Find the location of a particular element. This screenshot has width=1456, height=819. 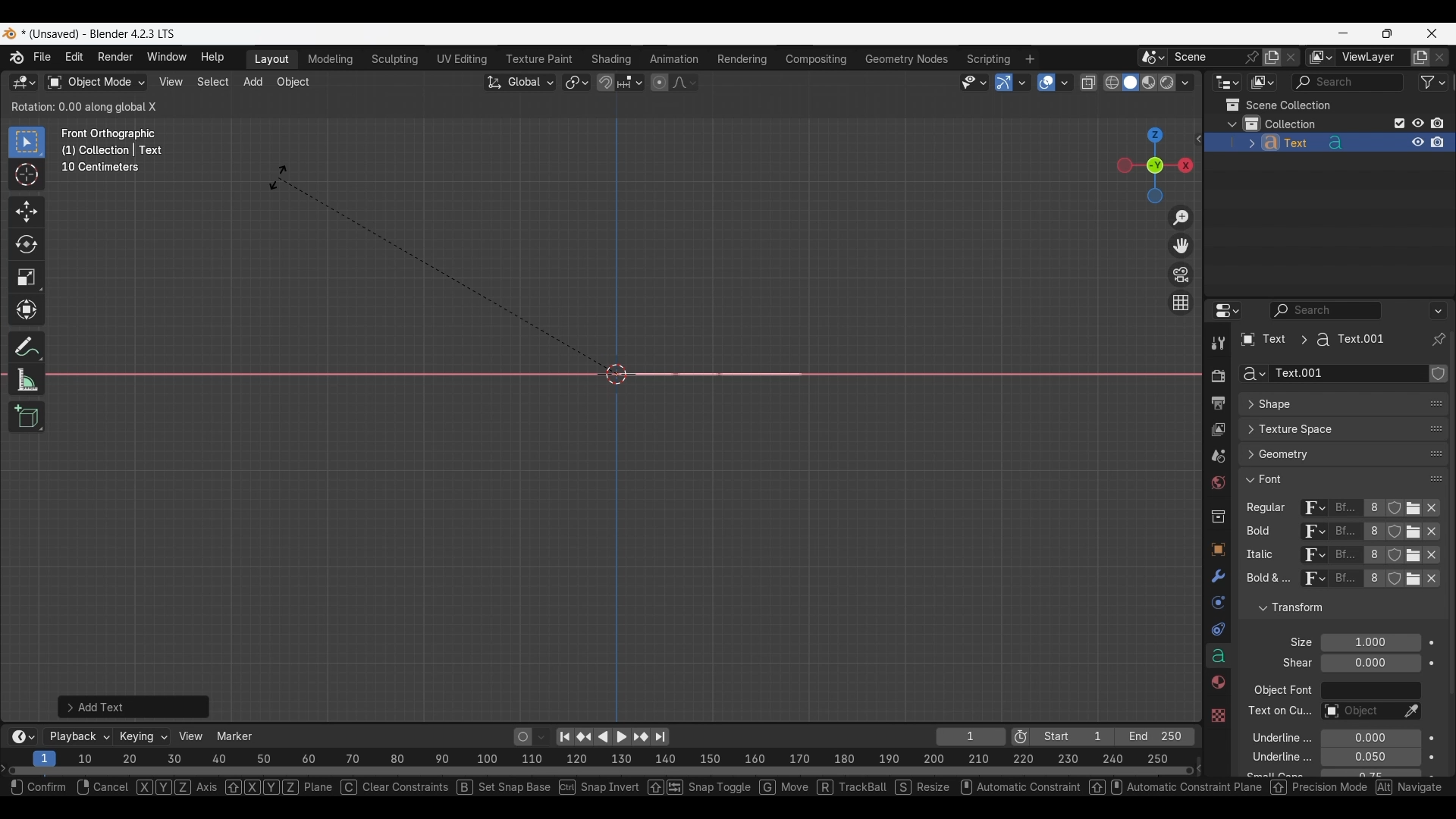

Selectability and visibility is located at coordinates (974, 83).